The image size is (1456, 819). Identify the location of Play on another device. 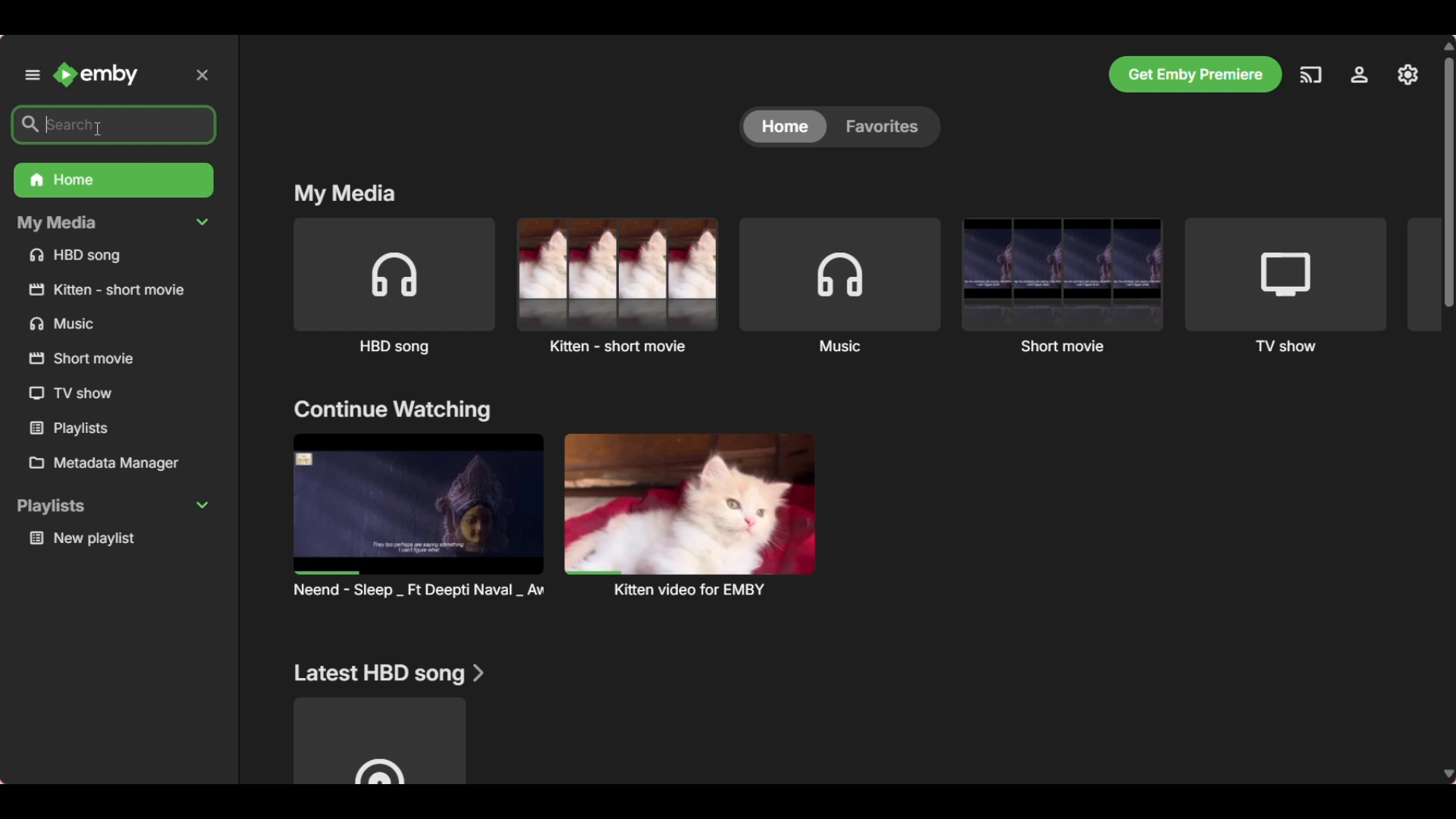
(1310, 75).